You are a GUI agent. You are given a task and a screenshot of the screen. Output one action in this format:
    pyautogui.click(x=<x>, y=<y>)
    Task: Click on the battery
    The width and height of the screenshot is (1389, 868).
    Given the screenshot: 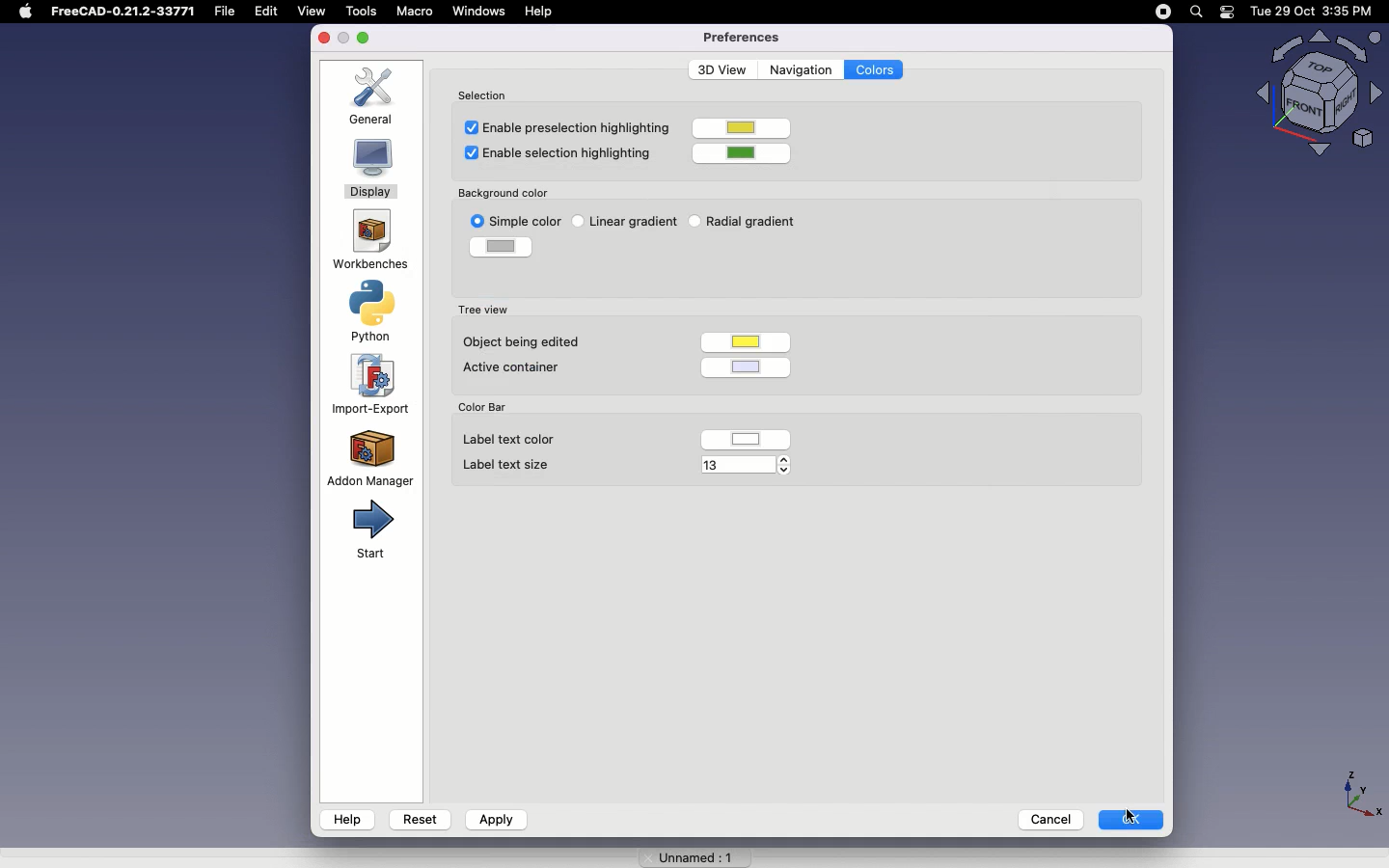 What is the action you would take?
    pyautogui.click(x=1228, y=14)
    